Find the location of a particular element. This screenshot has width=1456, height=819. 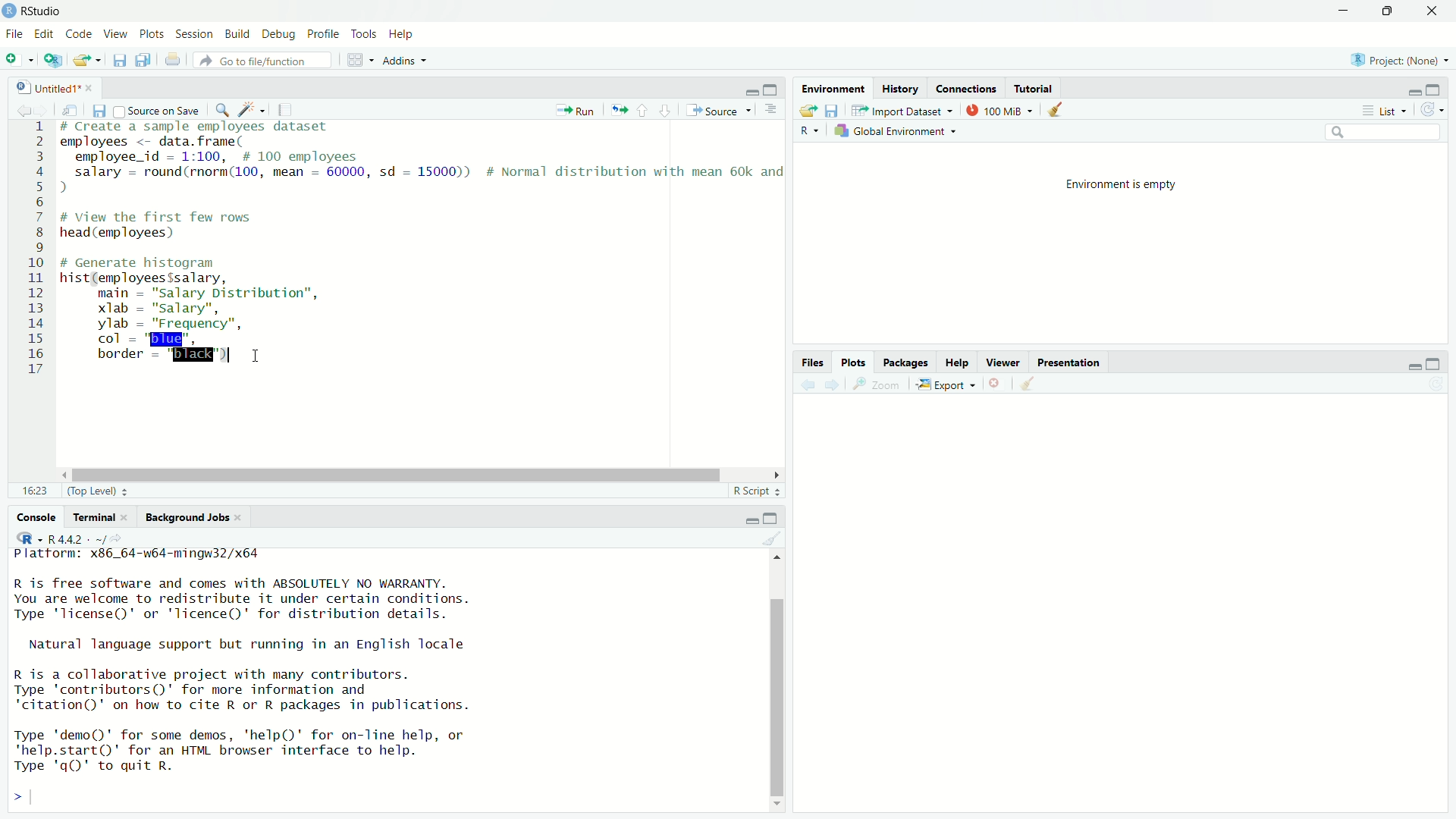

Profile is located at coordinates (325, 33).